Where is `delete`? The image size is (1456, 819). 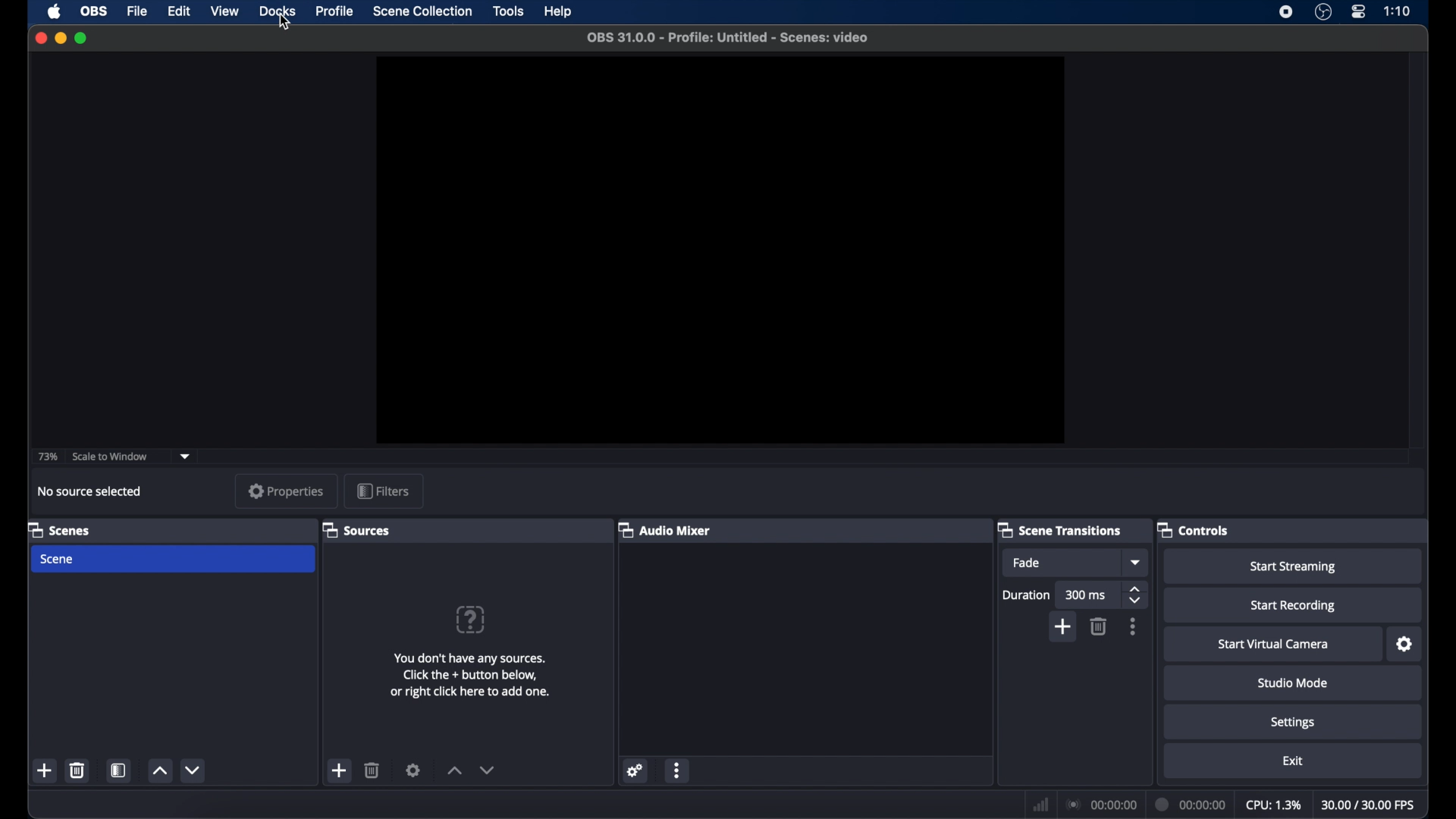
delete is located at coordinates (372, 770).